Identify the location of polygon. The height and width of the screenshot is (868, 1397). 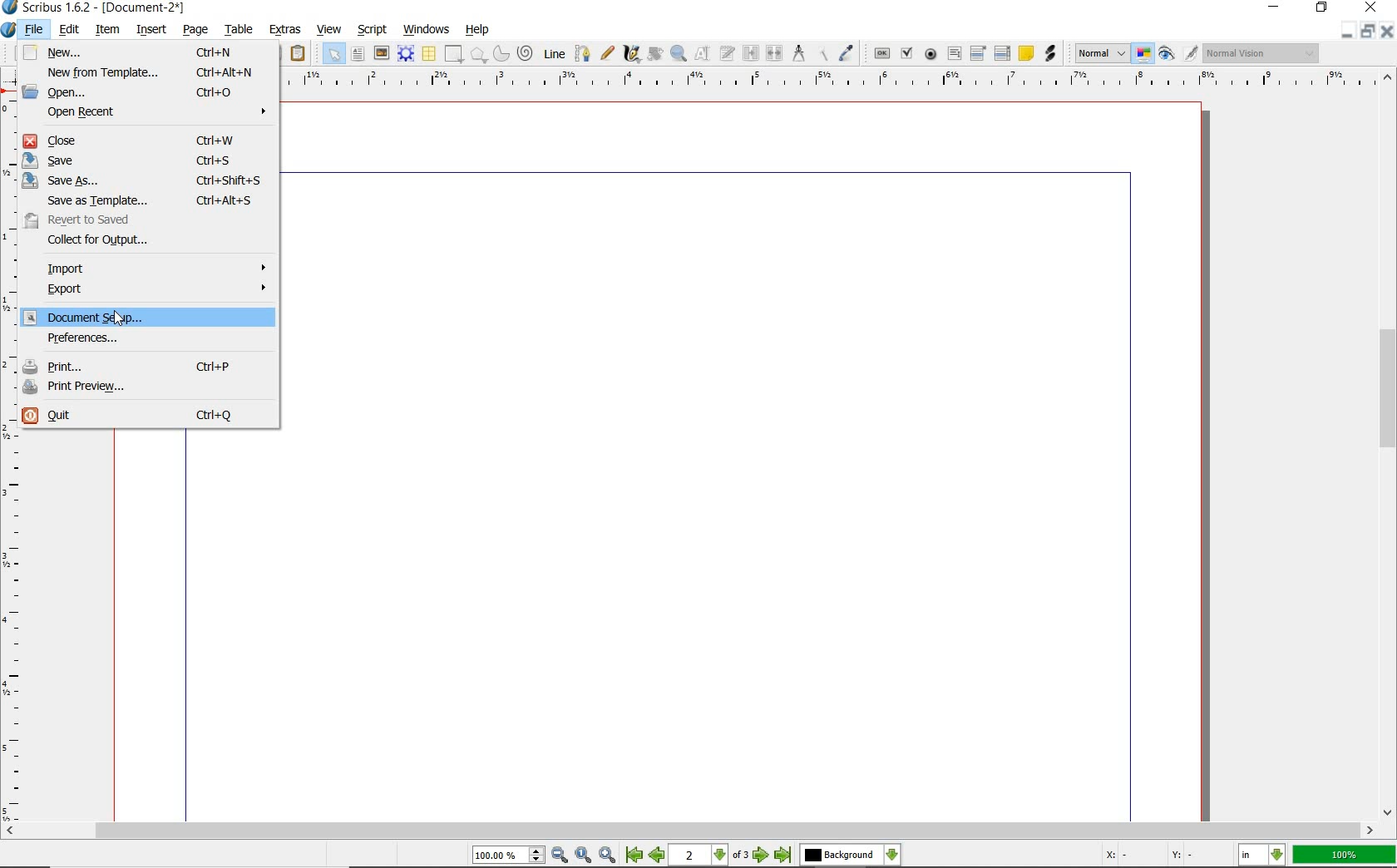
(478, 55).